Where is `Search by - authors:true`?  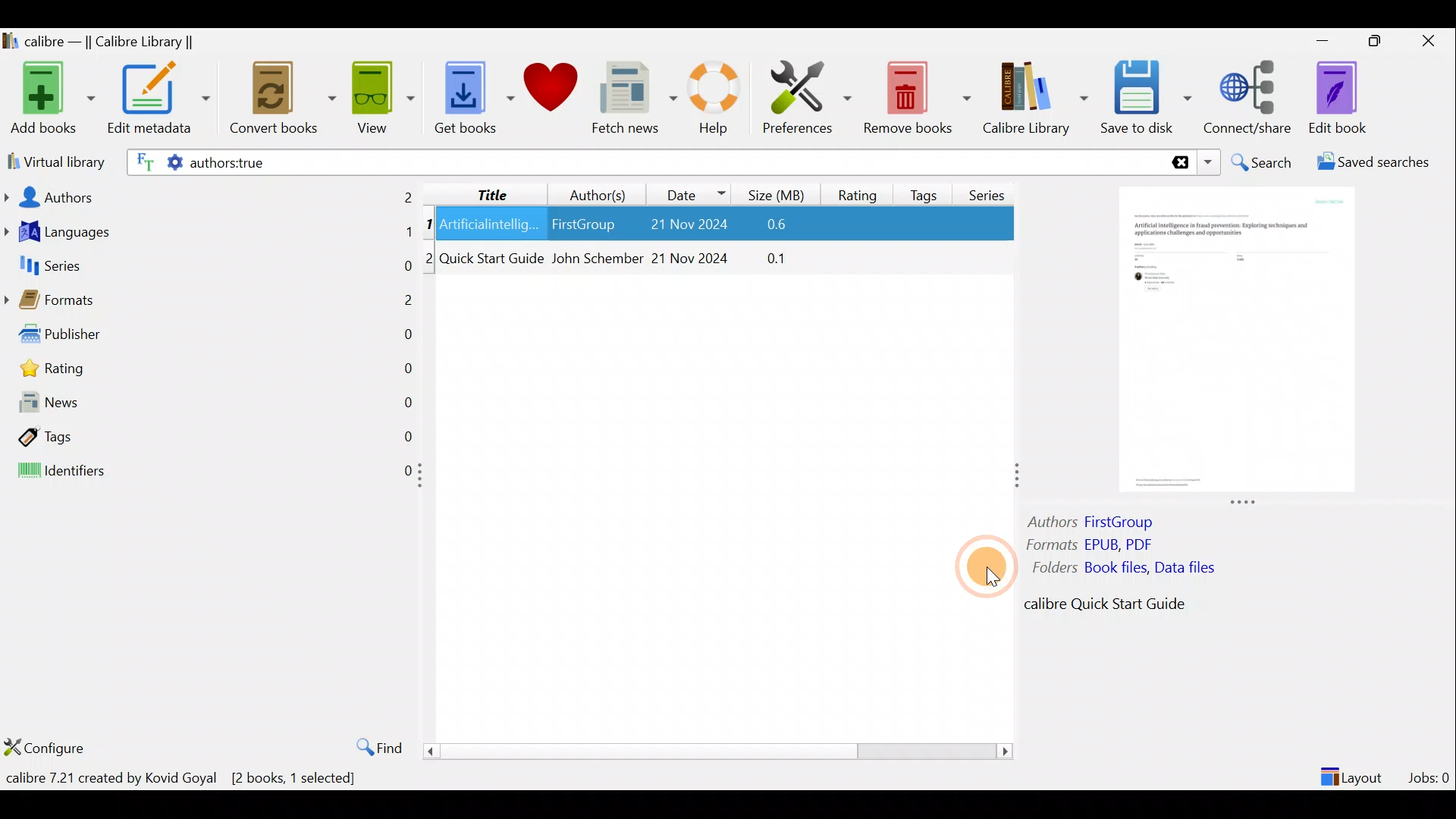 Search by - authors:true is located at coordinates (642, 162).